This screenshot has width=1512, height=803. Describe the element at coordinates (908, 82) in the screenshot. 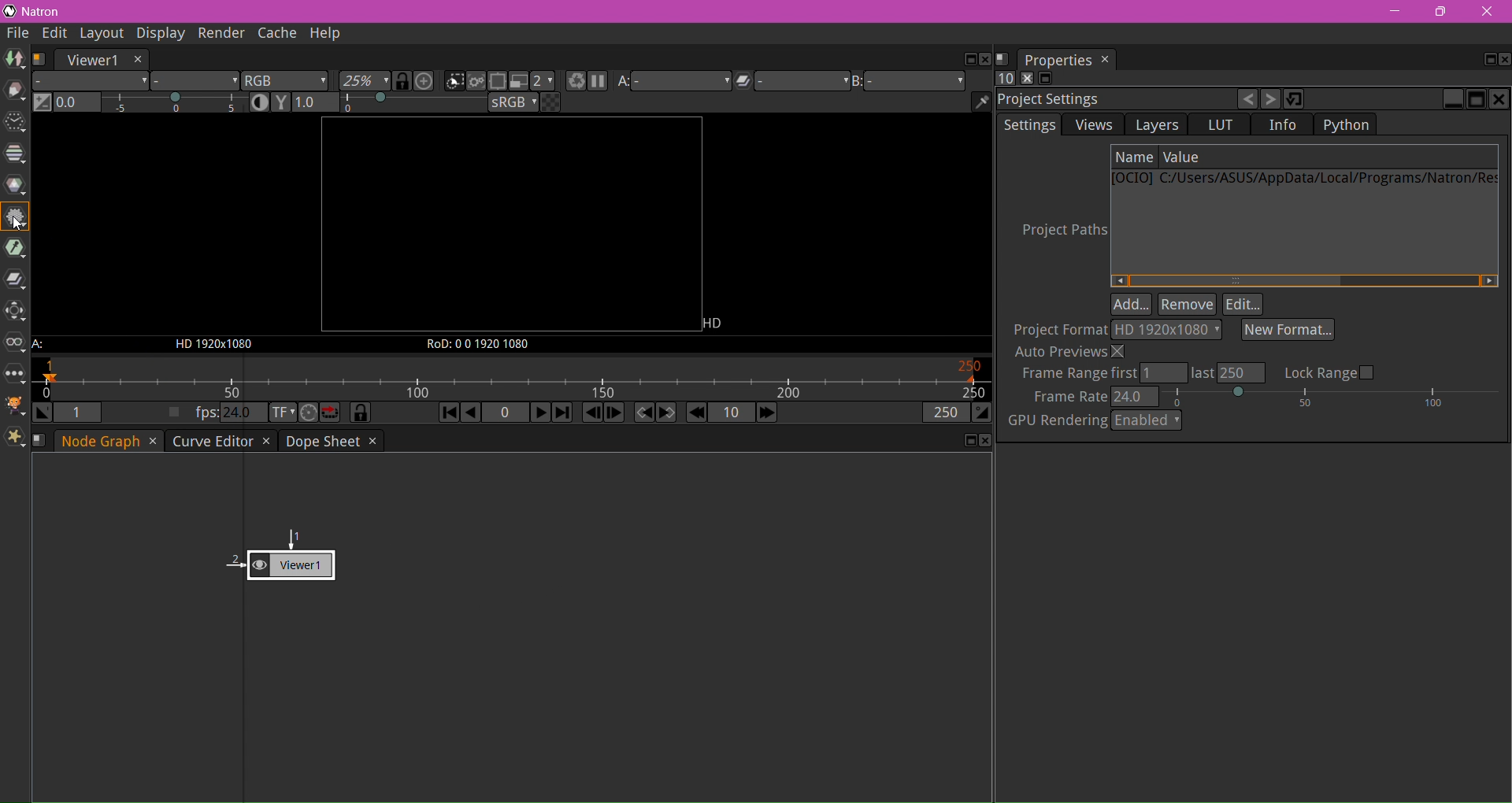

I see `Viewer Input B` at that location.